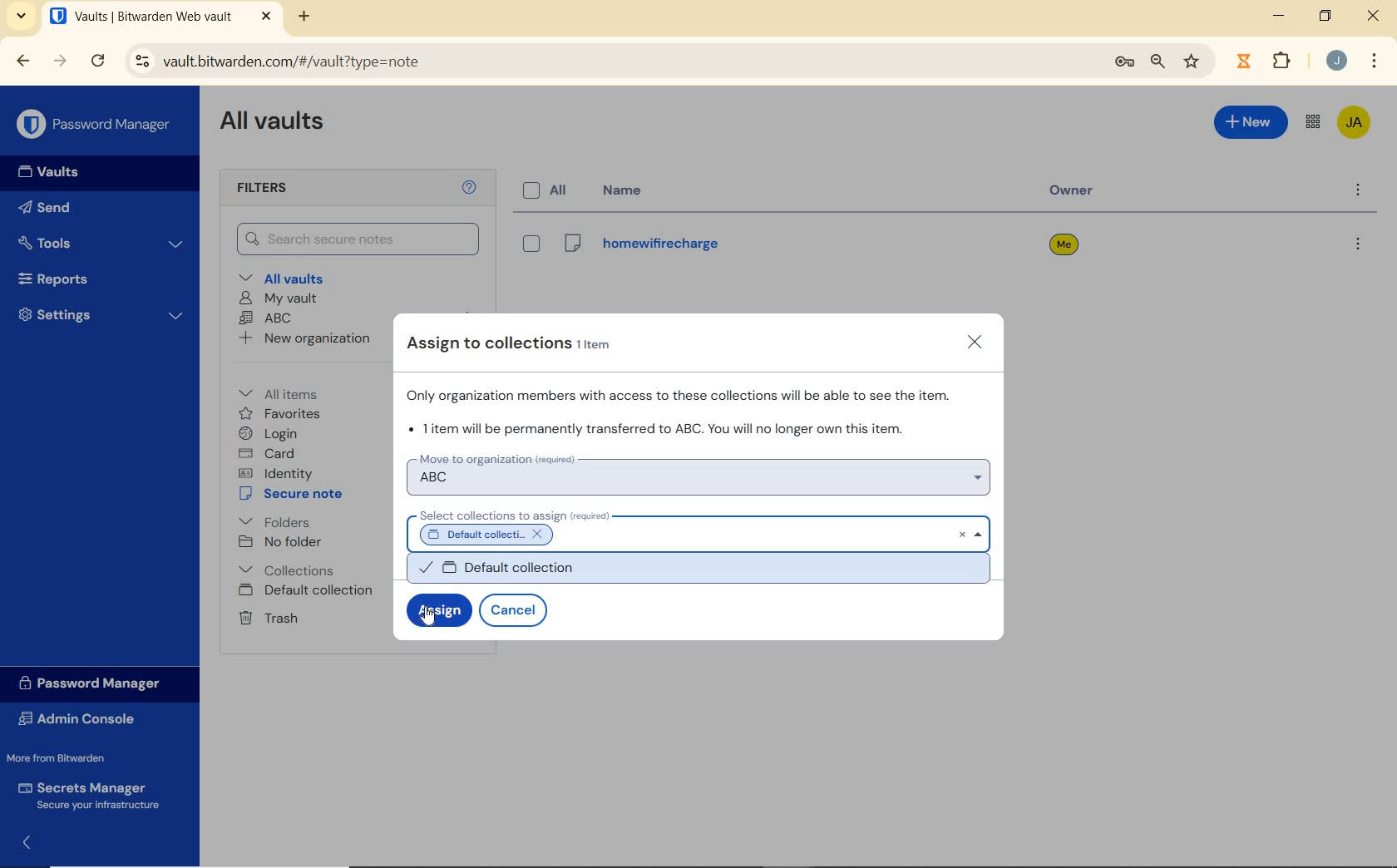  I want to click on Password Manager, so click(95, 125).